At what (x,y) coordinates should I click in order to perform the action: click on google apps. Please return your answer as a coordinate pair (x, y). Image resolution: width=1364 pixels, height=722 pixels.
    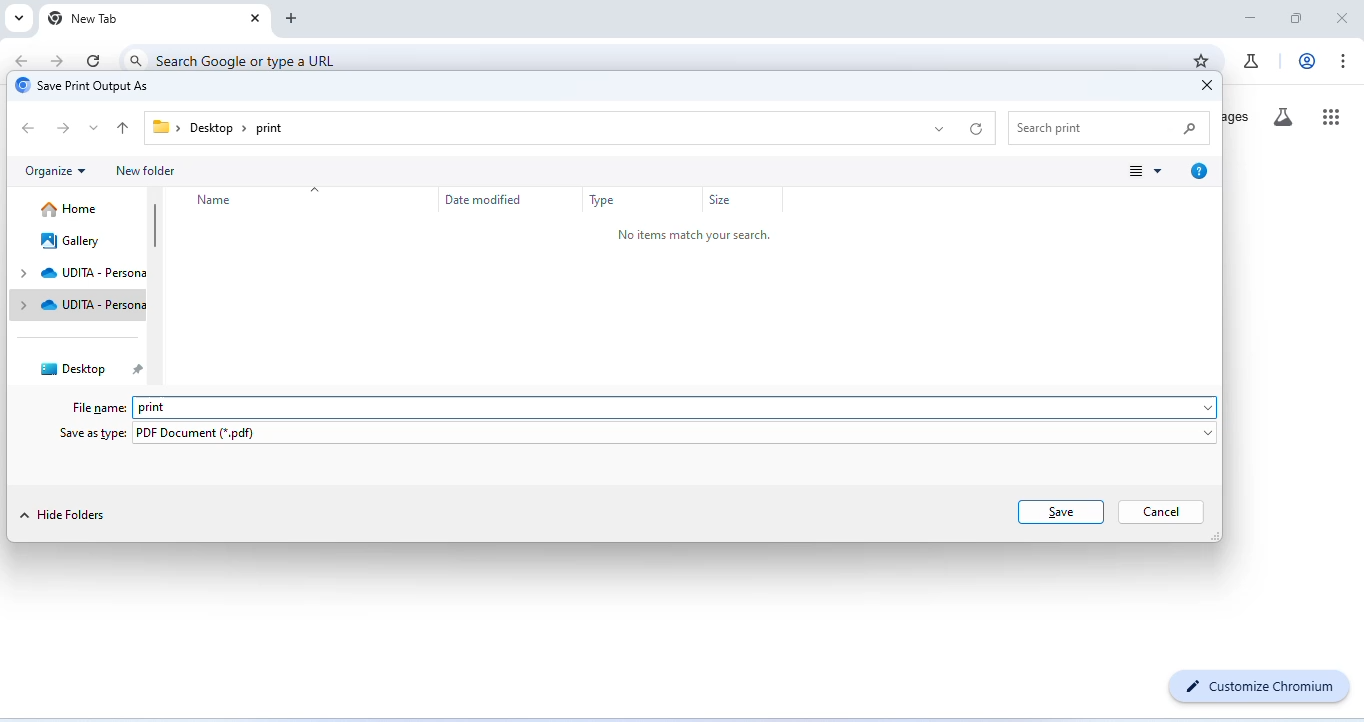
    Looking at the image, I should click on (1332, 115).